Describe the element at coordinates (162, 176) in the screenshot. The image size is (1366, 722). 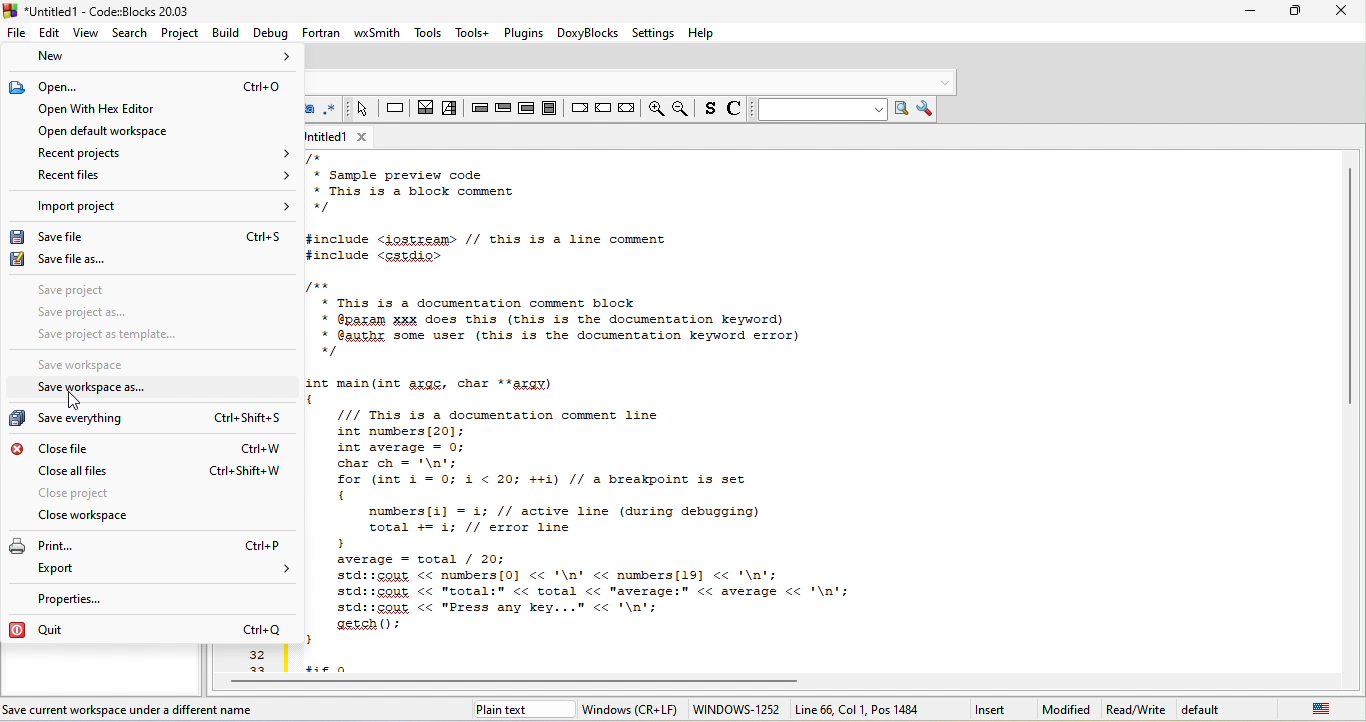
I see `recent files` at that location.